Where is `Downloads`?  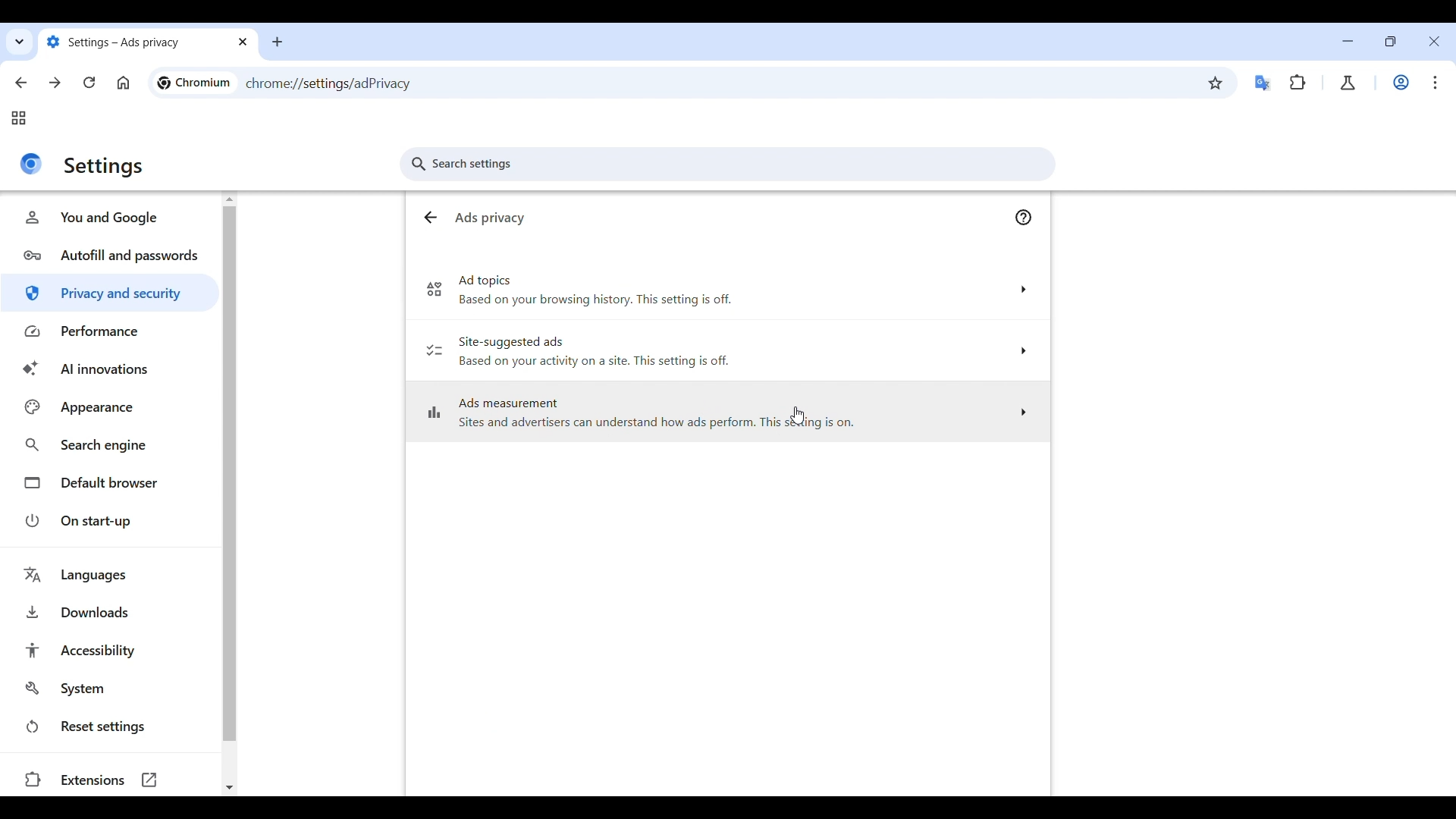
Downloads is located at coordinates (111, 612).